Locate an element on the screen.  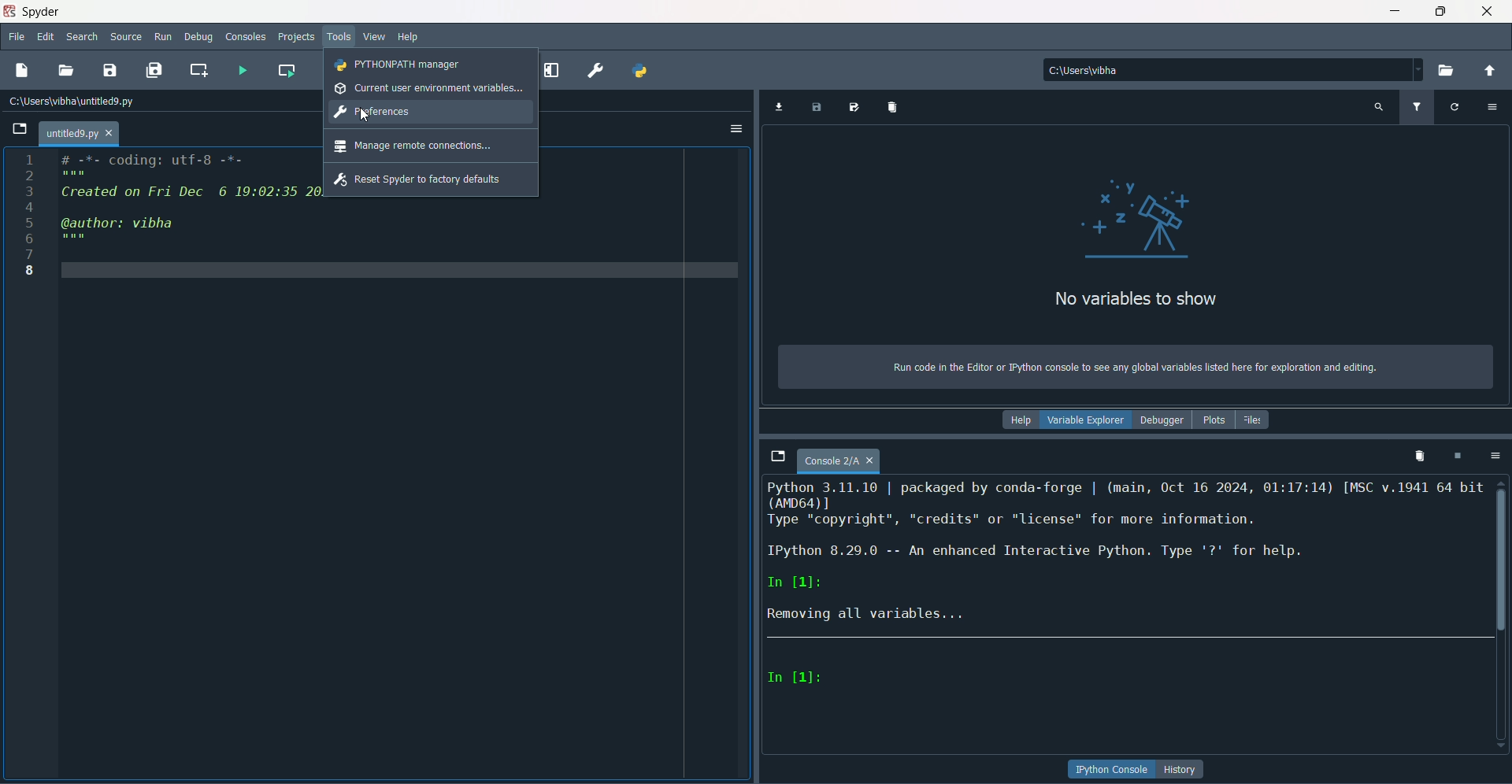
change directory is located at coordinates (1489, 71).